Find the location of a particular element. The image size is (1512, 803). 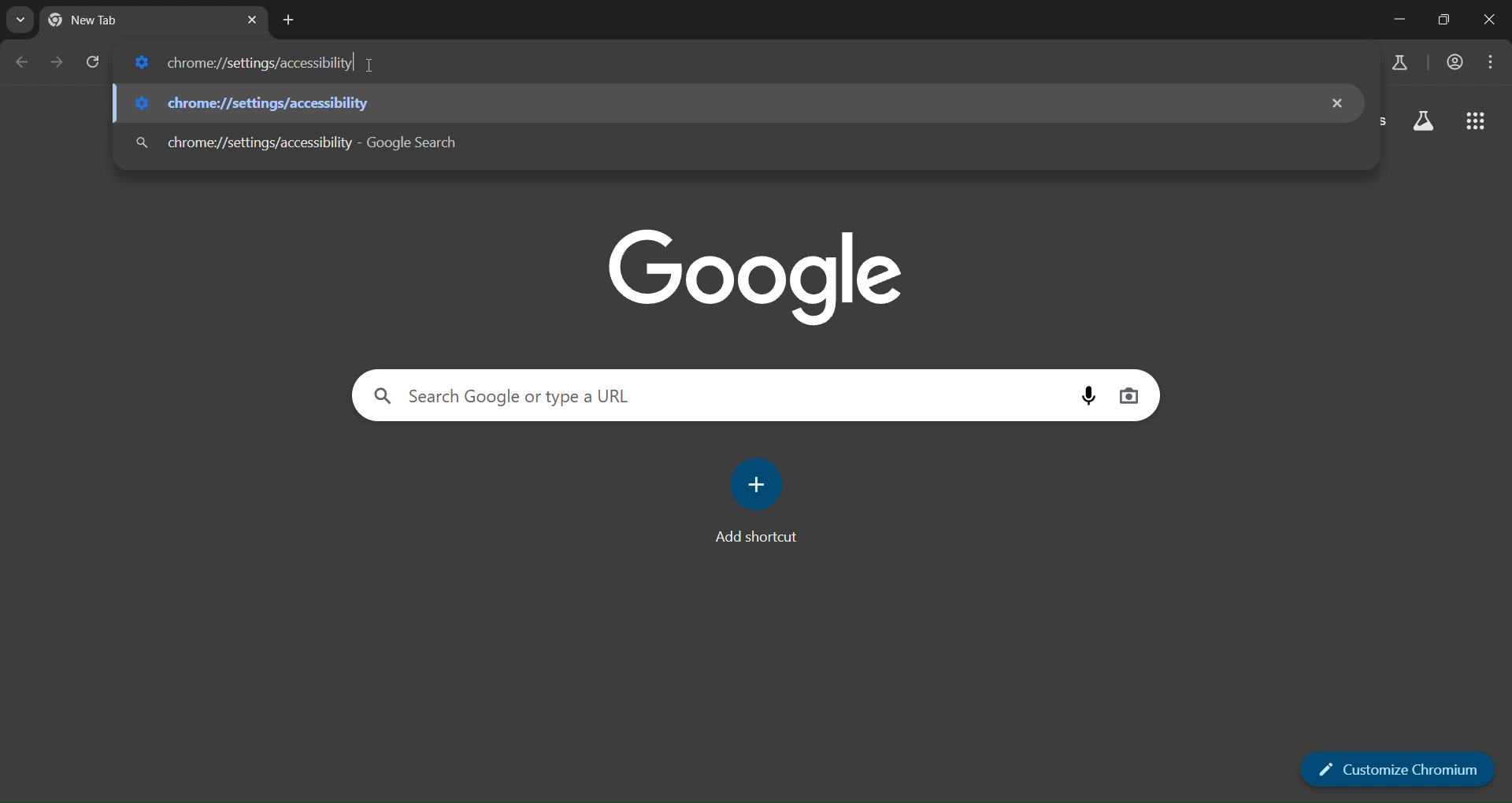

add shortcut is located at coordinates (757, 502).